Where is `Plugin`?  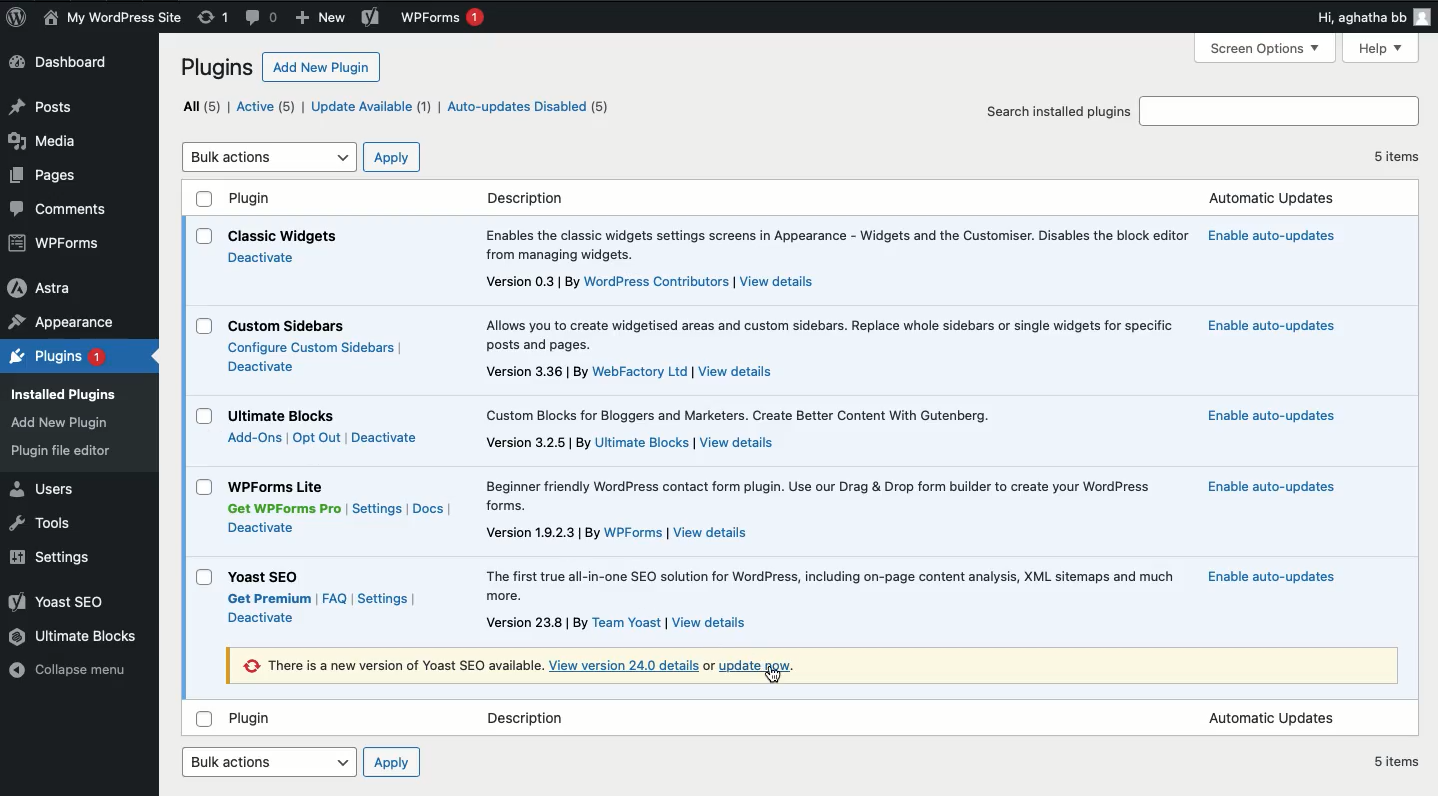 Plugin is located at coordinates (279, 486).